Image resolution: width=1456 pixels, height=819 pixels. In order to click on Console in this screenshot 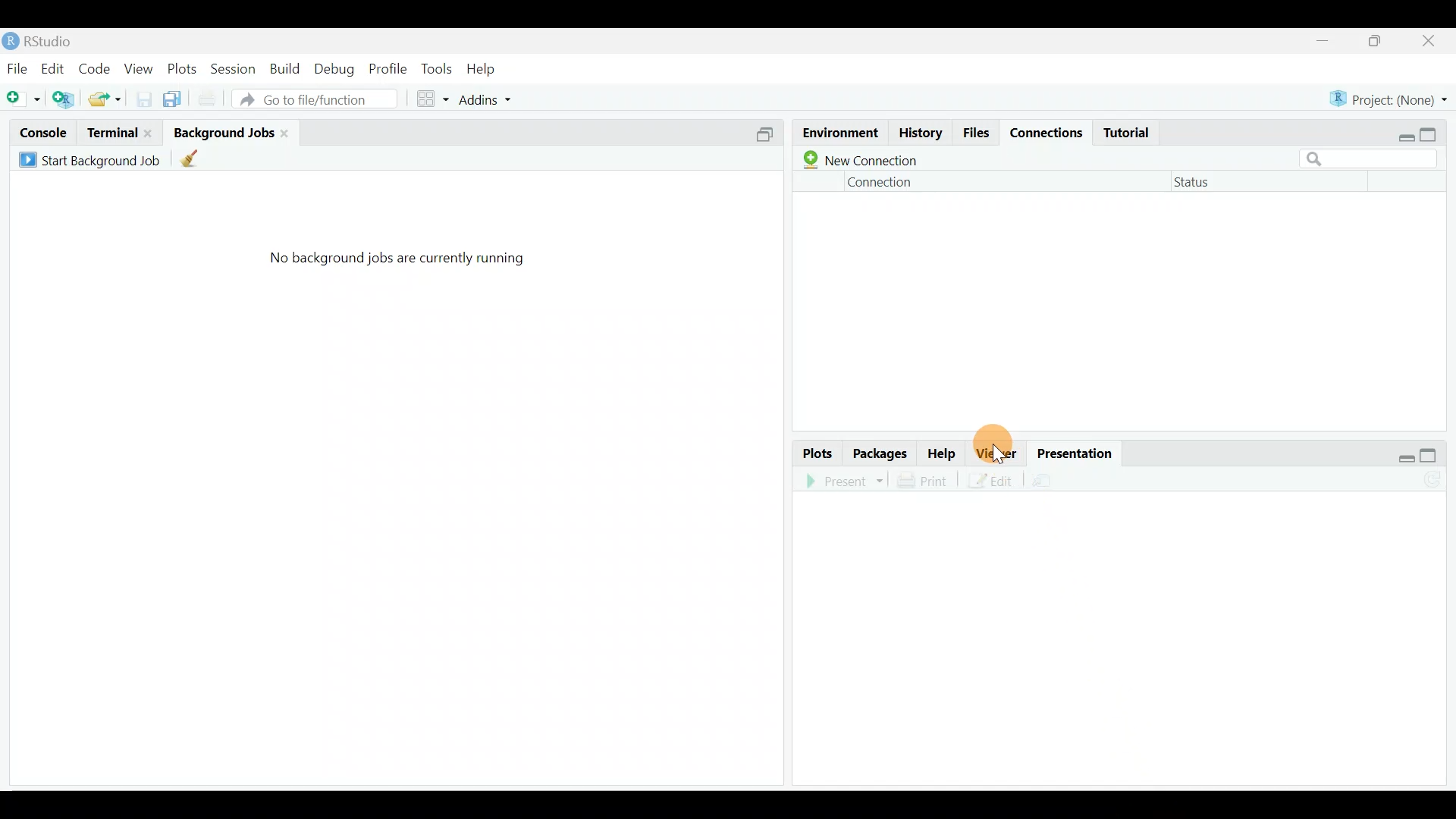, I will do `click(42, 132)`.